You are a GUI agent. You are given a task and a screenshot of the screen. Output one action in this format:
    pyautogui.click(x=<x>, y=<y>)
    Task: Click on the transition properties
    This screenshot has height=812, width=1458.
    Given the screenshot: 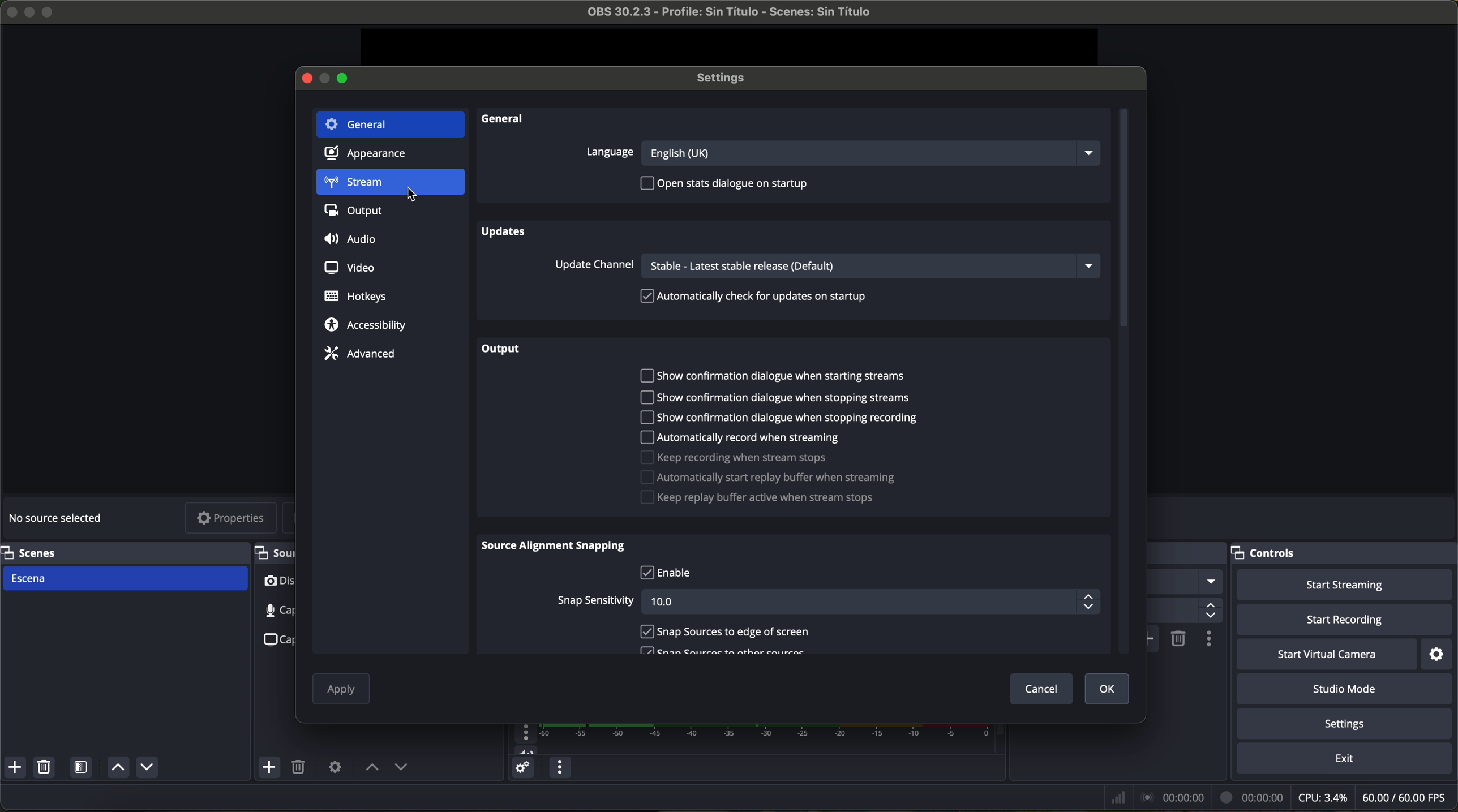 What is the action you would take?
    pyautogui.click(x=1208, y=641)
    